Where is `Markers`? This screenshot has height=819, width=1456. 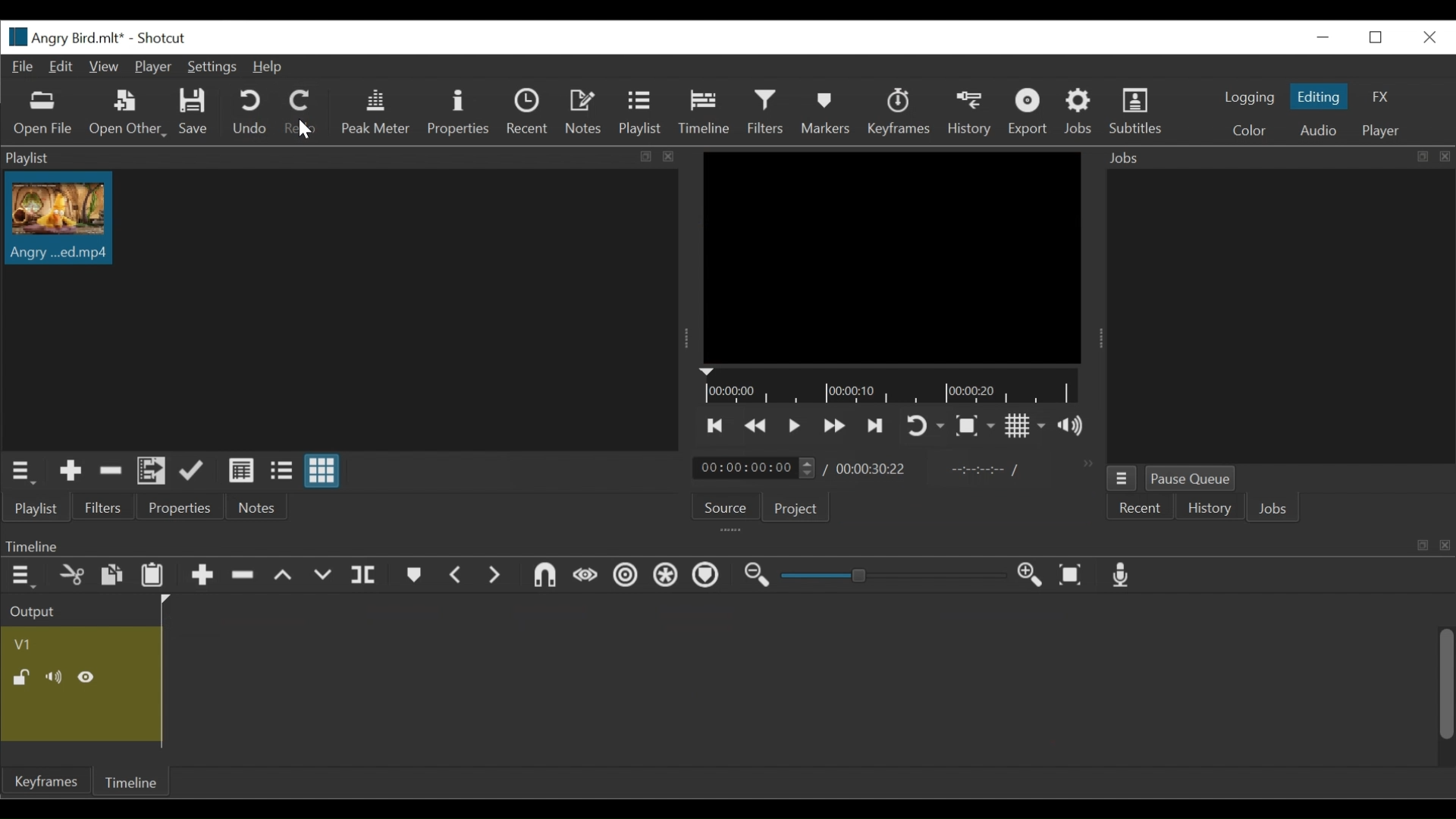 Markers is located at coordinates (823, 111).